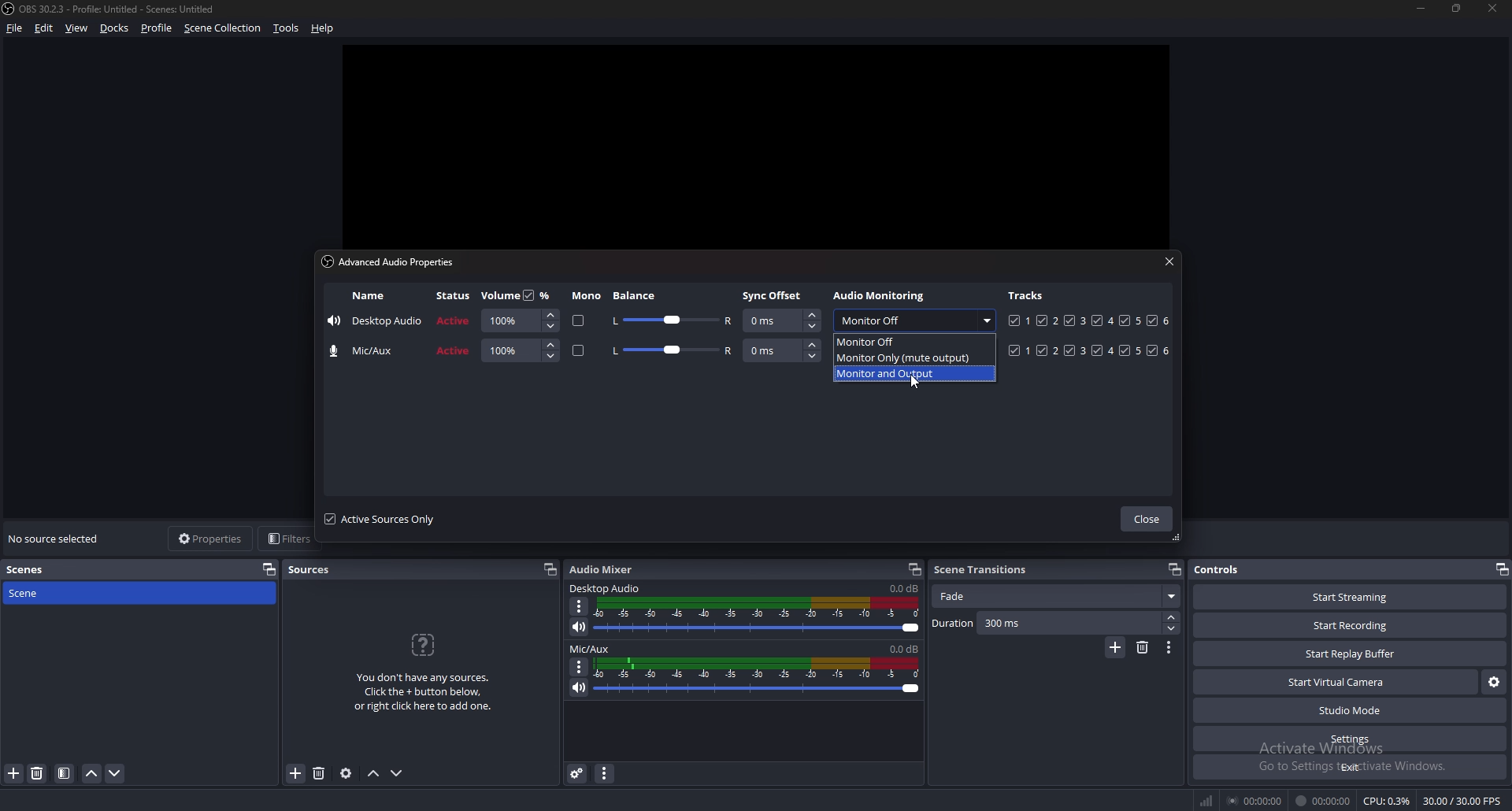  Describe the element at coordinates (296, 773) in the screenshot. I see `add source` at that location.